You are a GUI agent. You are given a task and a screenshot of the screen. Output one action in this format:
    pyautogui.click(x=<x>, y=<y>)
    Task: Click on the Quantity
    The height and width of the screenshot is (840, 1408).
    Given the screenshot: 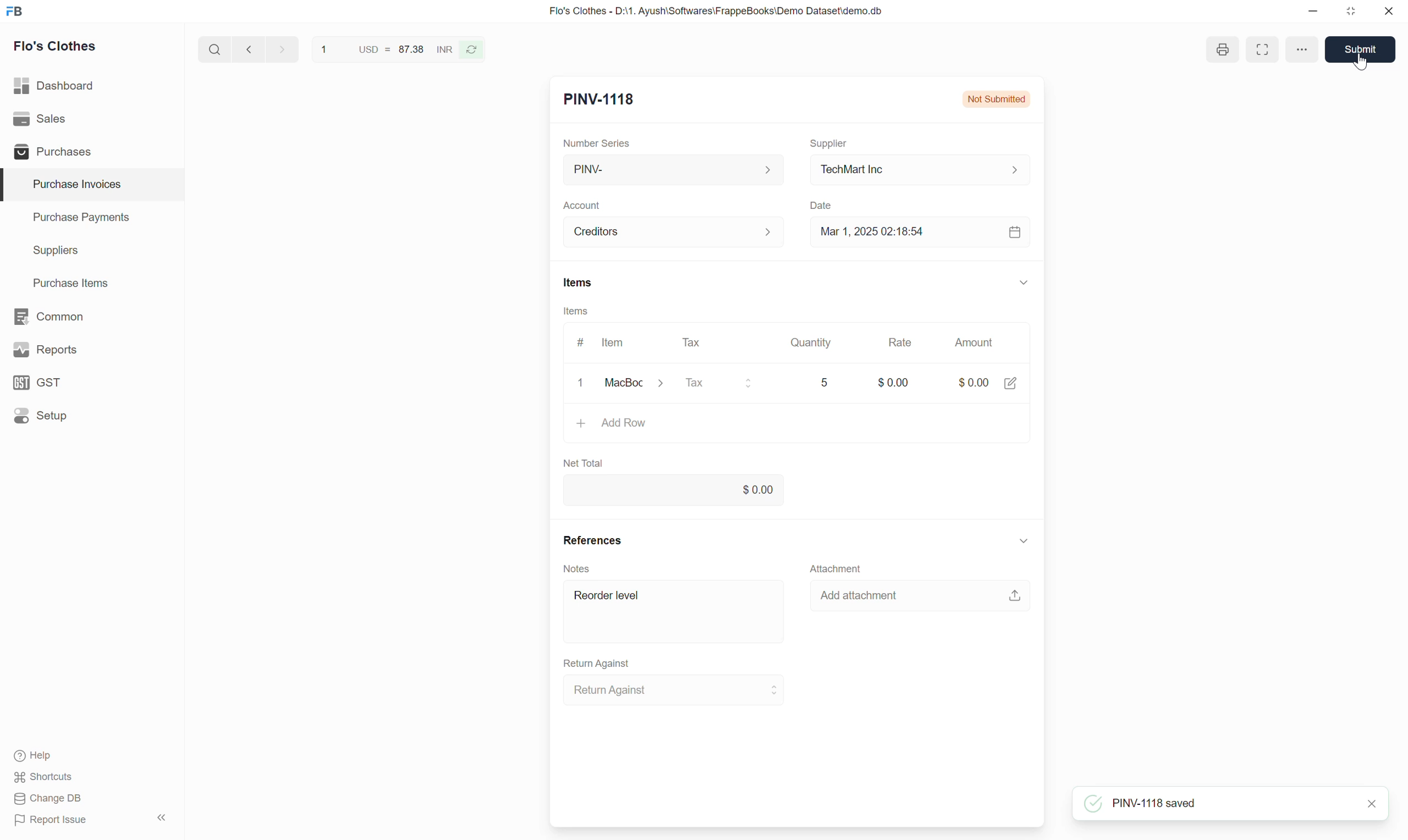 What is the action you would take?
    pyautogui.click(x=809, y=342)
    